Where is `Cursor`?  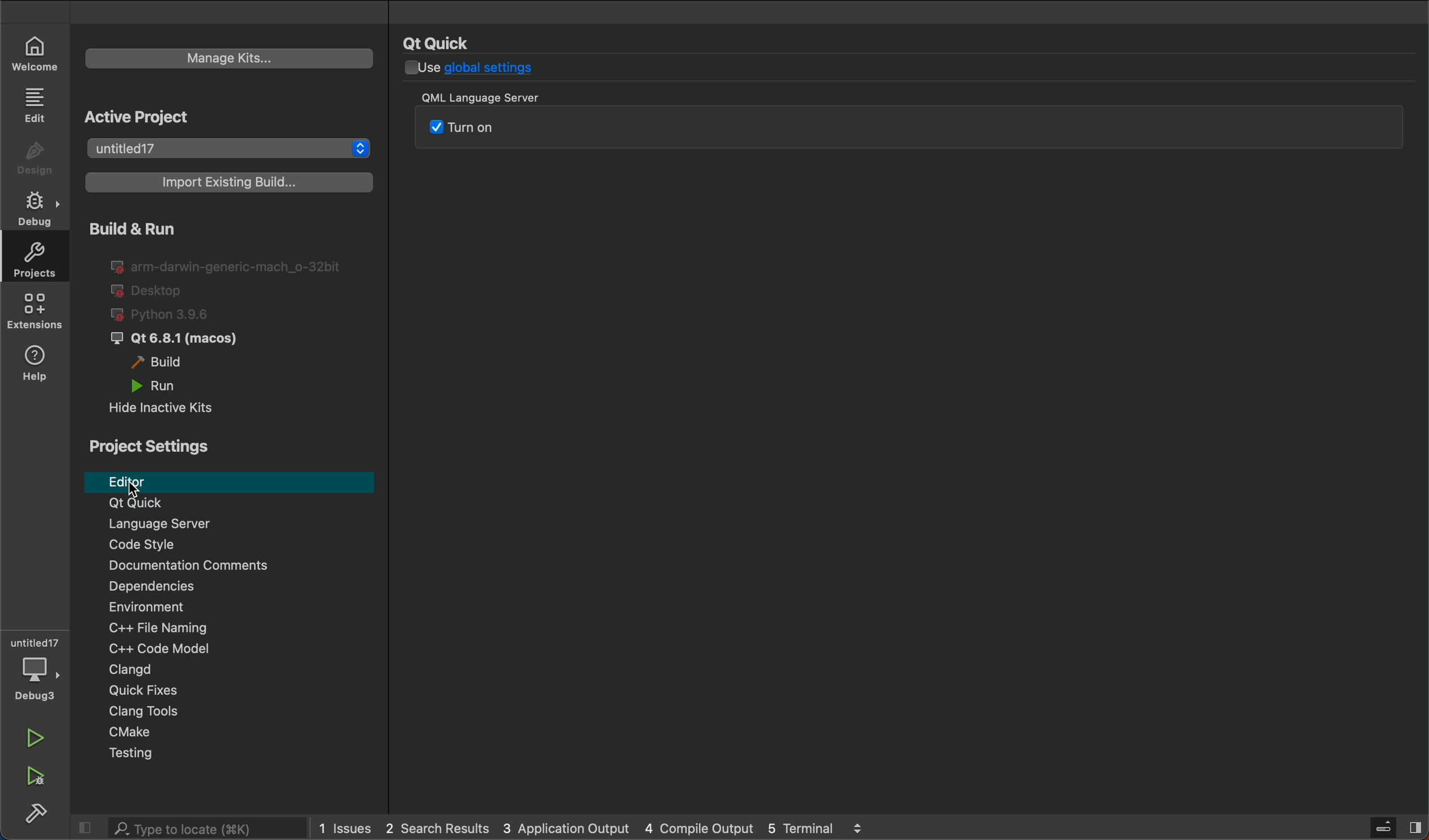
Cursor is located at coordinates (133, 491).